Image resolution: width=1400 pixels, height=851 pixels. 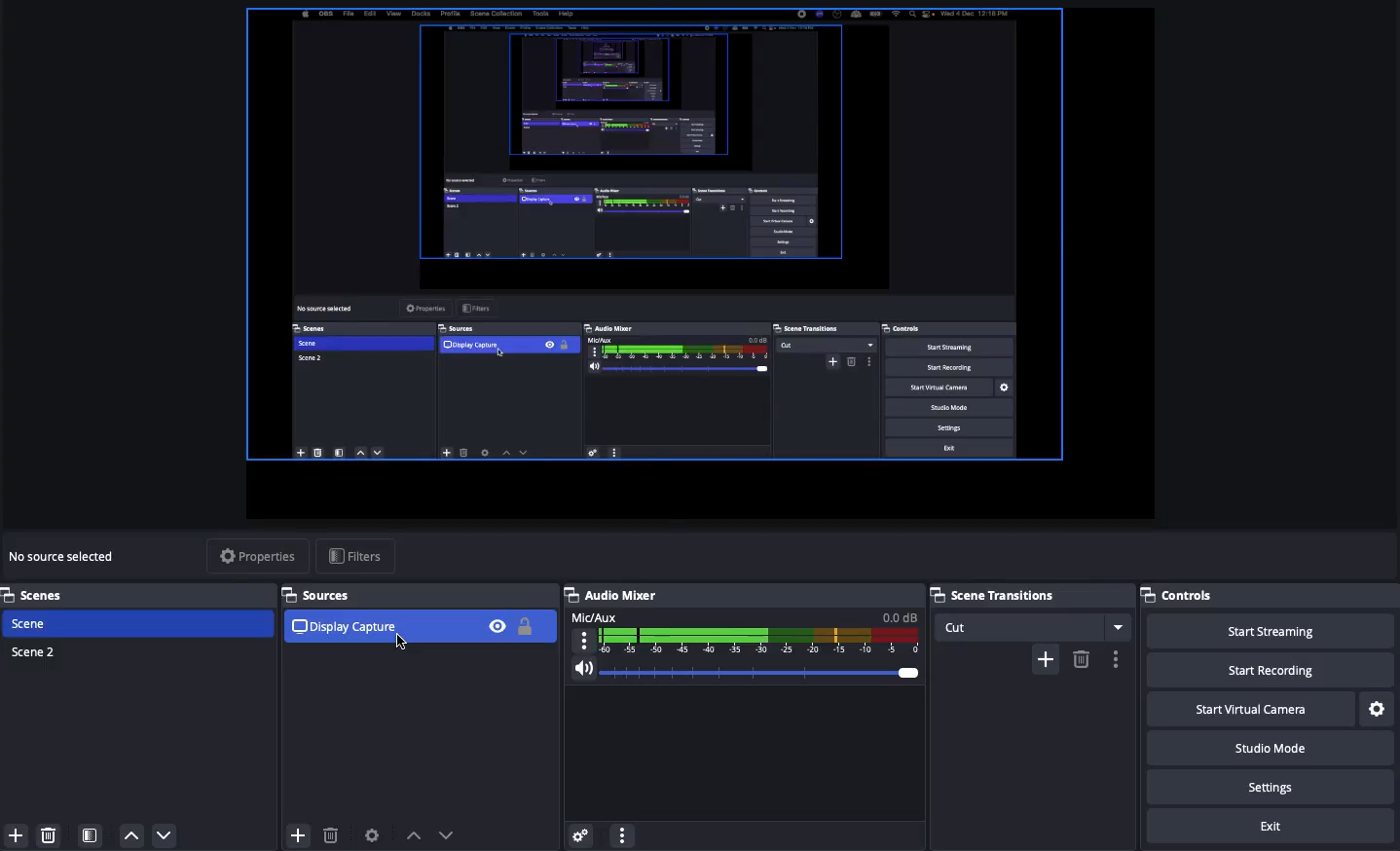 I want to click on Move down, so click(x=166, y=836).